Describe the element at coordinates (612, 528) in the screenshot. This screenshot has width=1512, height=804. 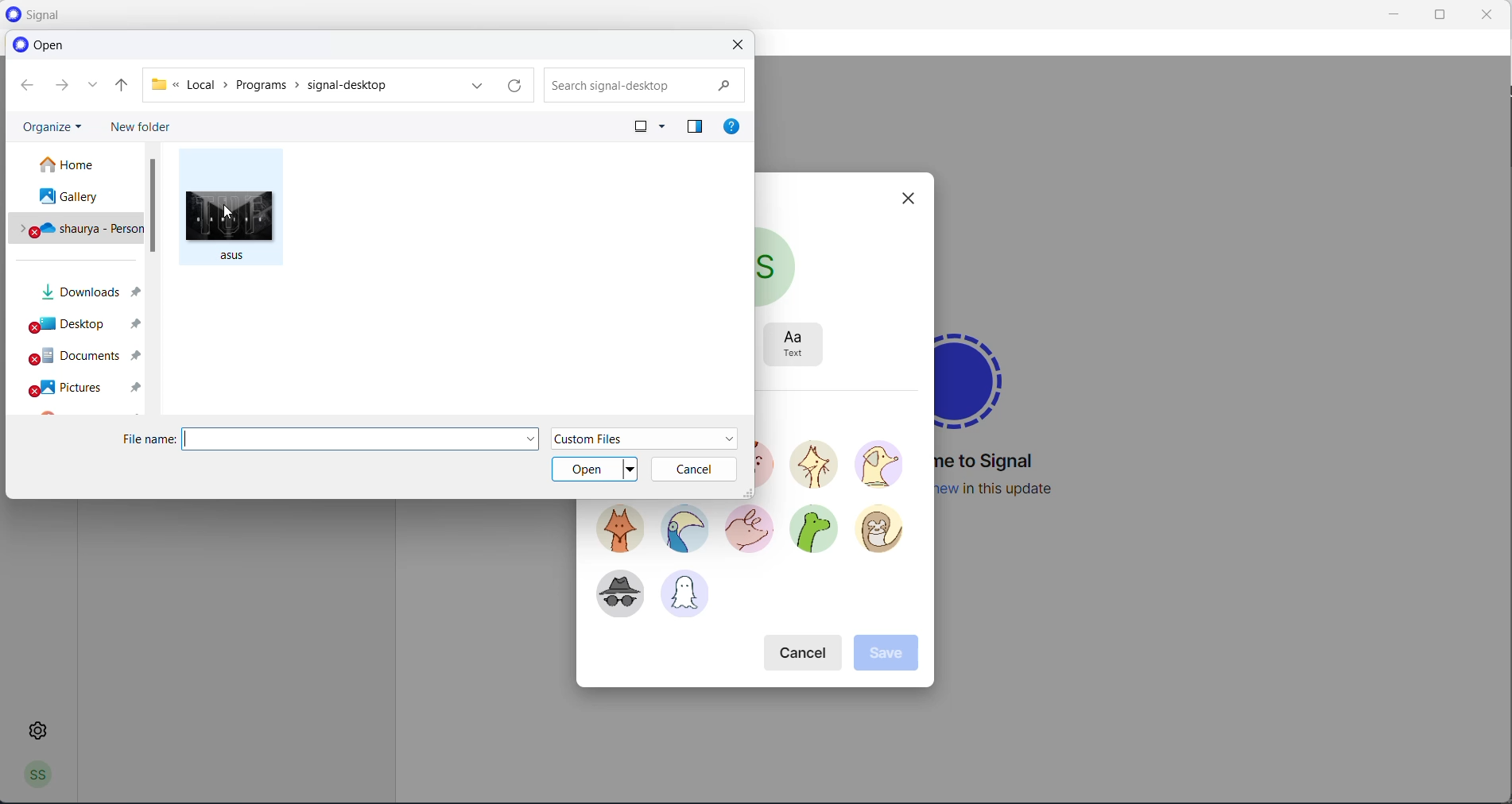
I see `avatar` at that location.